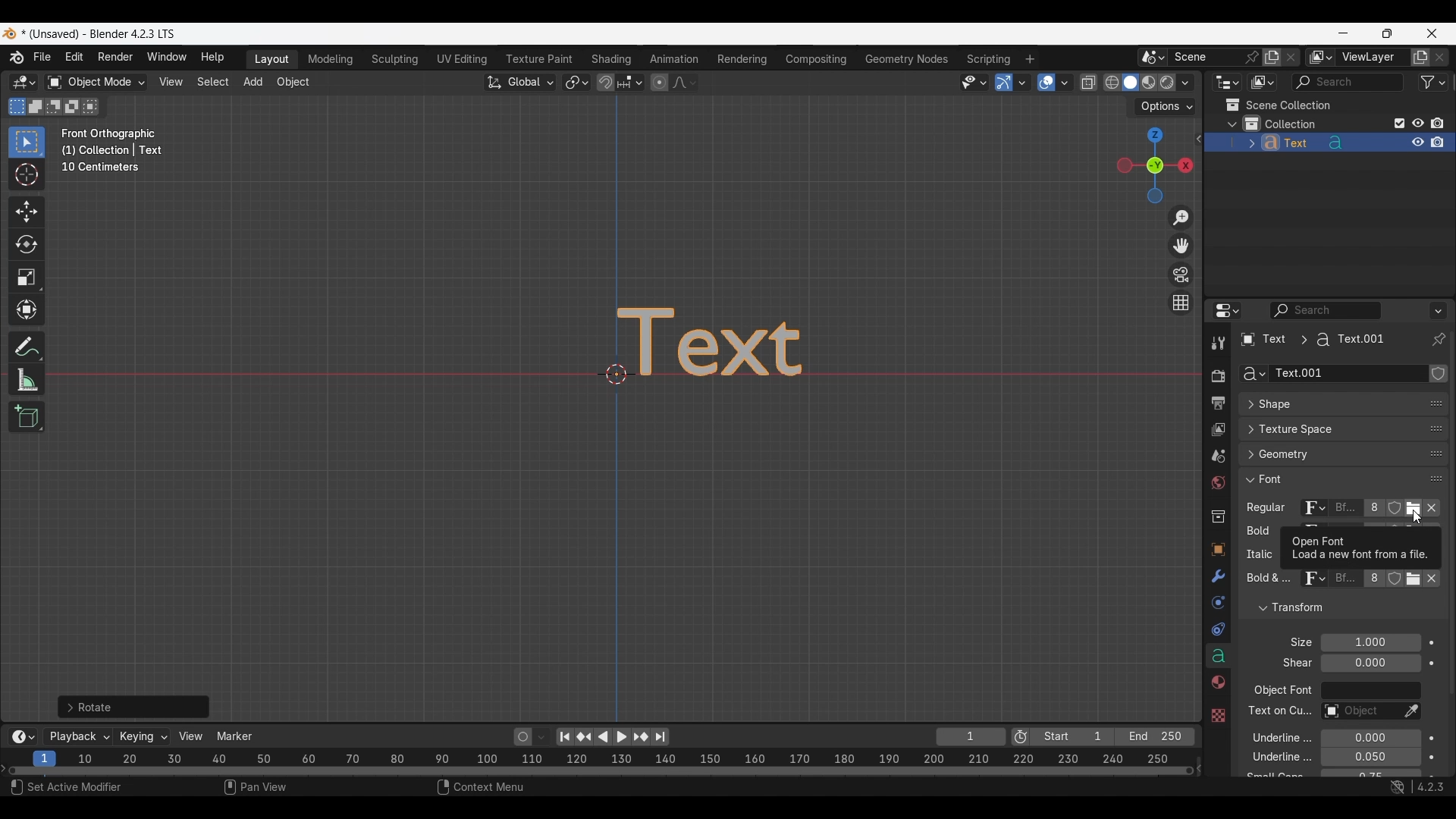 The image size is (1456, 819). I want to click on Extend existing selection, so click(36, 107).